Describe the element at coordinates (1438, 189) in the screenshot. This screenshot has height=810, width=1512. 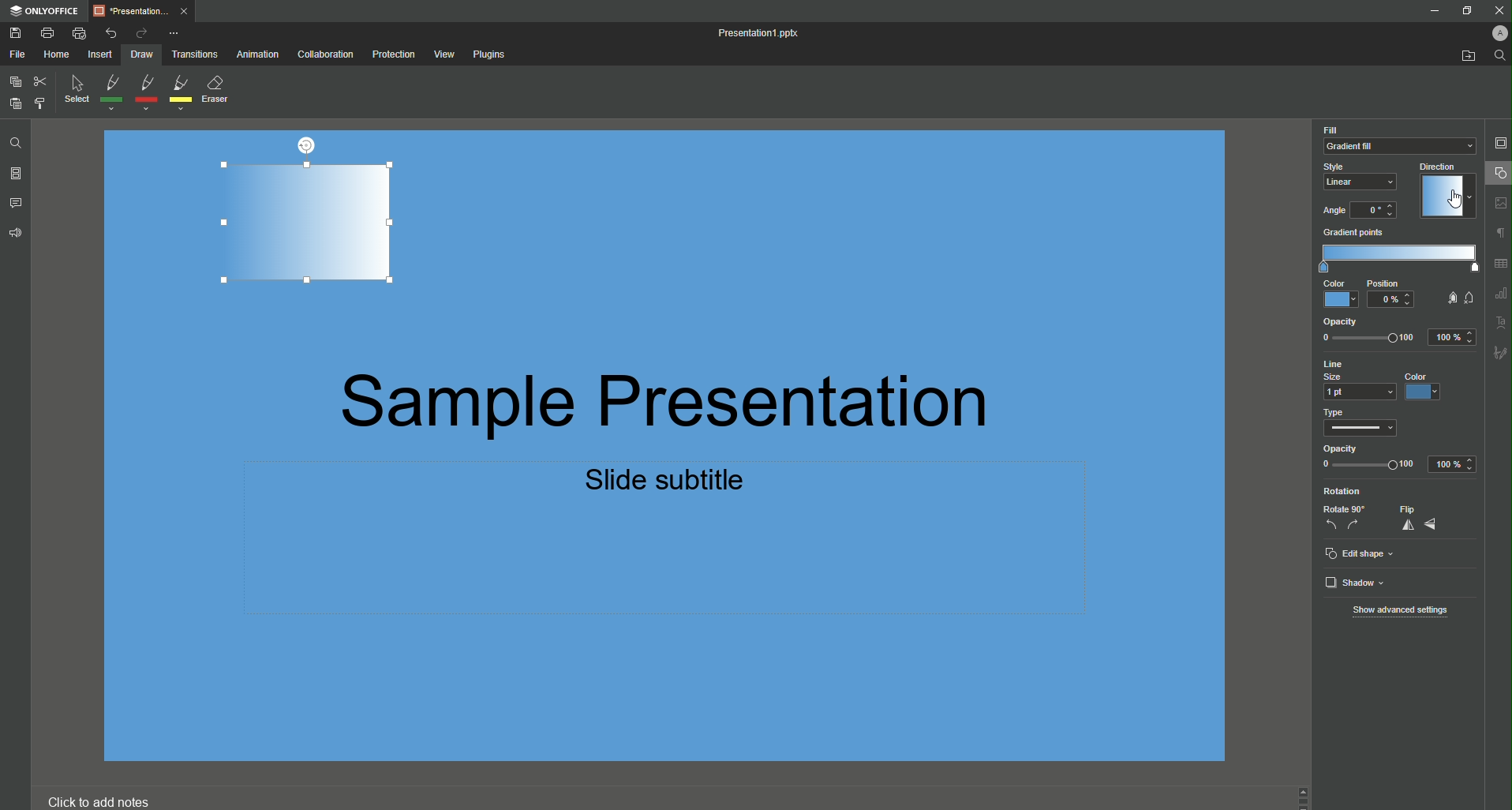
I see `Direction` at that location.